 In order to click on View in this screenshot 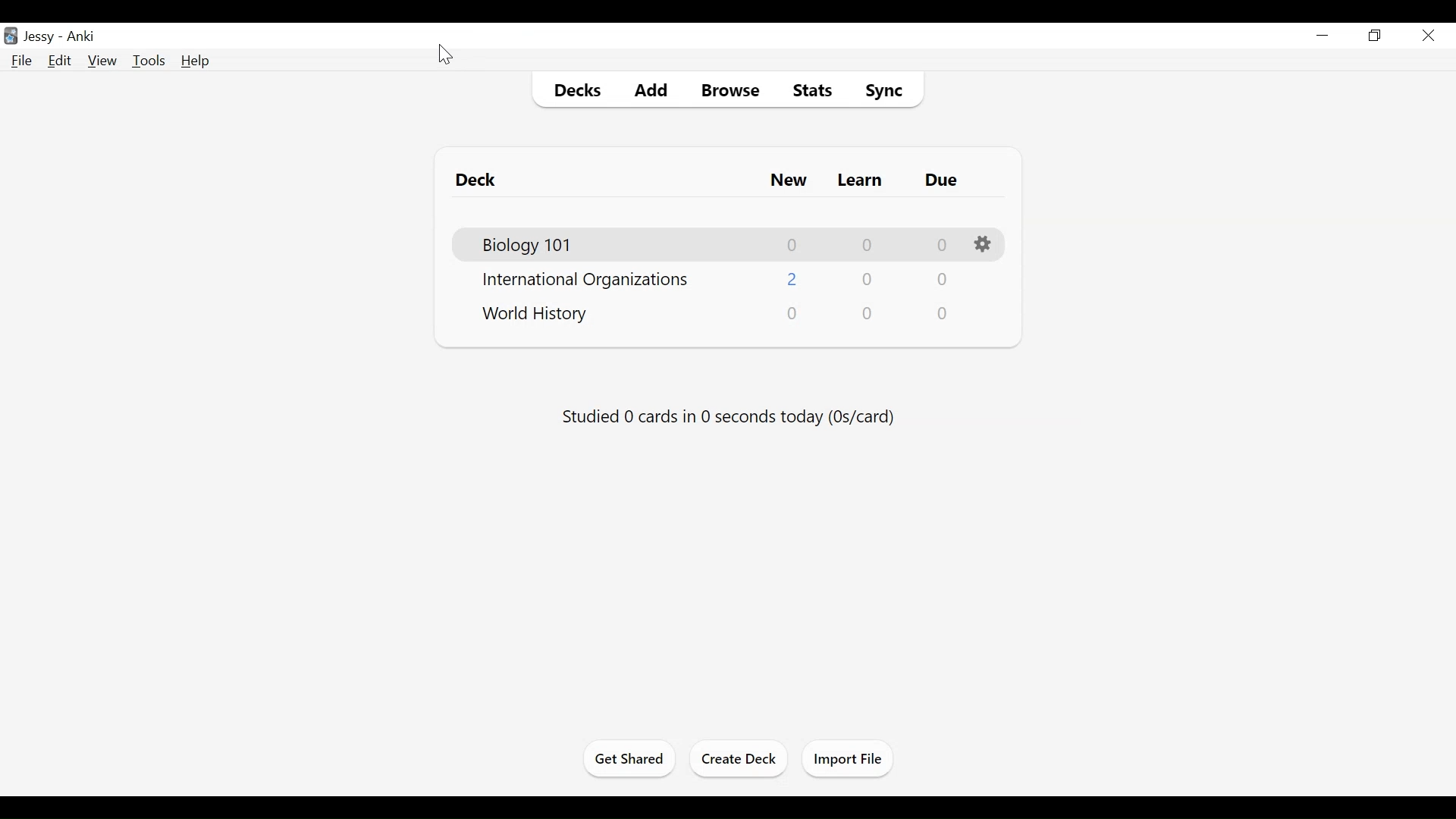, I will do `click(101, 59)`.